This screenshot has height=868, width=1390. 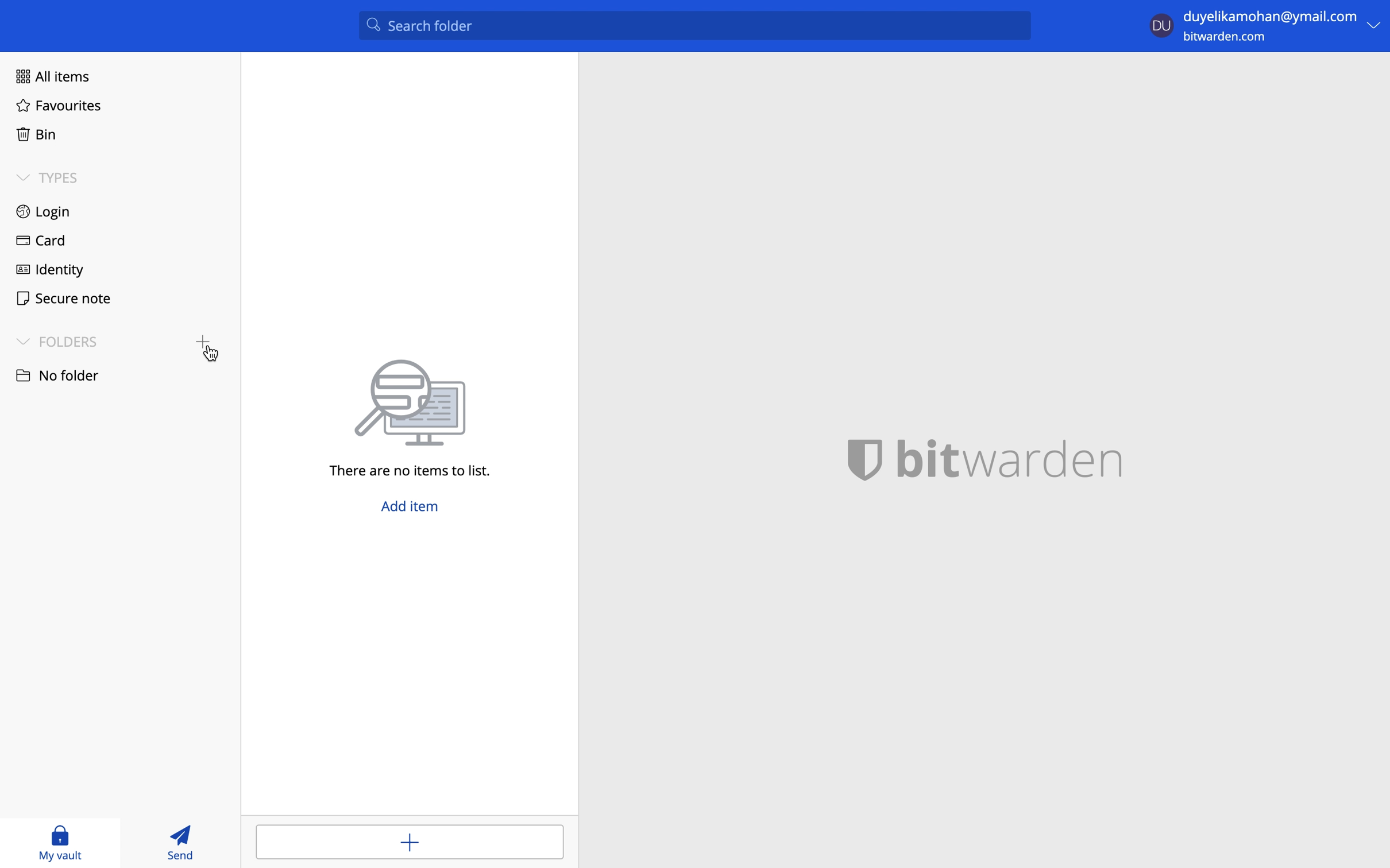 I want to click on all items, so click(x=49, y=75).